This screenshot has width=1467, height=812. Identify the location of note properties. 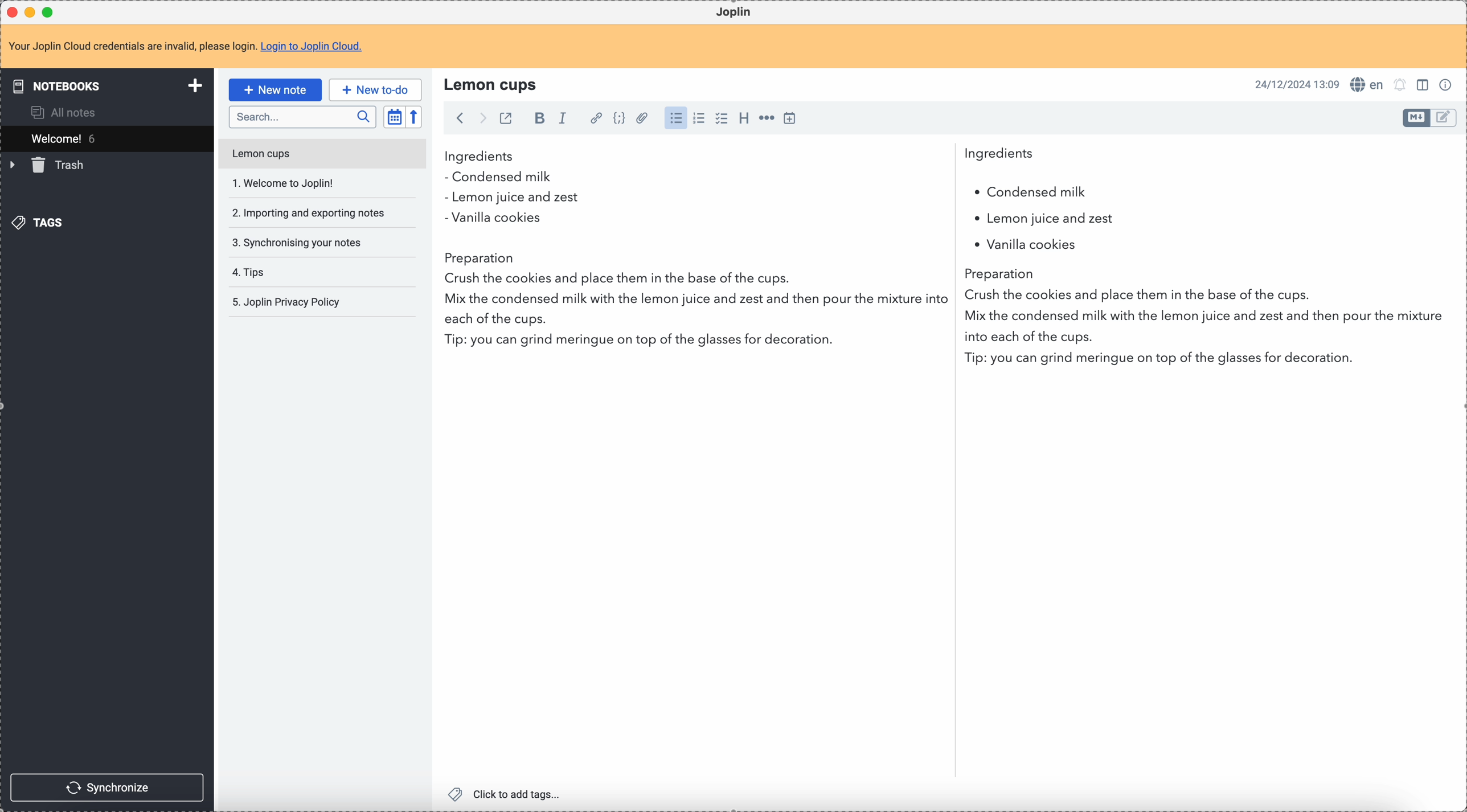
(1448, 84).